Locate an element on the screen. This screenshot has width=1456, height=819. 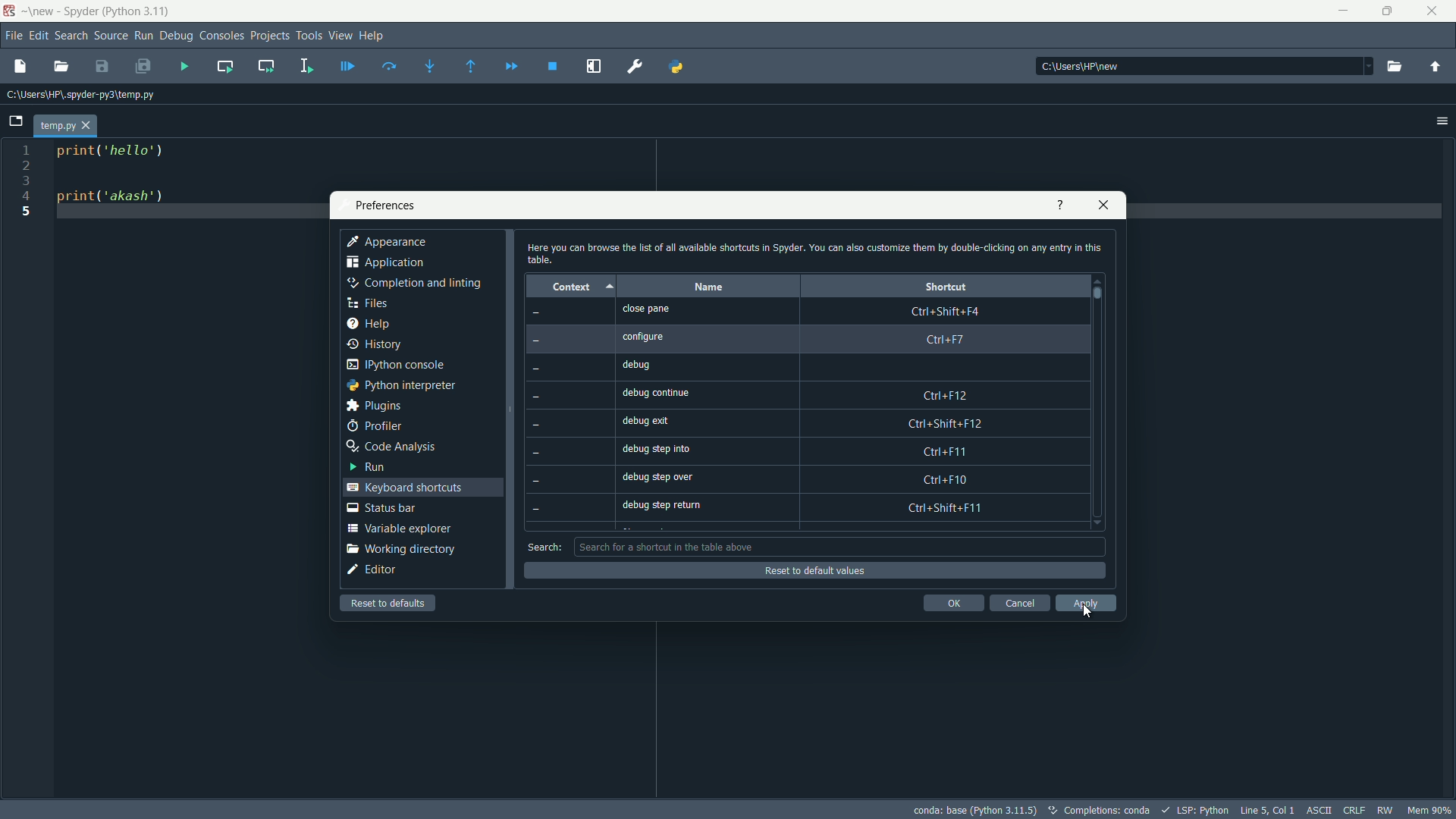
code analysis is located at coordinates (389, 447).